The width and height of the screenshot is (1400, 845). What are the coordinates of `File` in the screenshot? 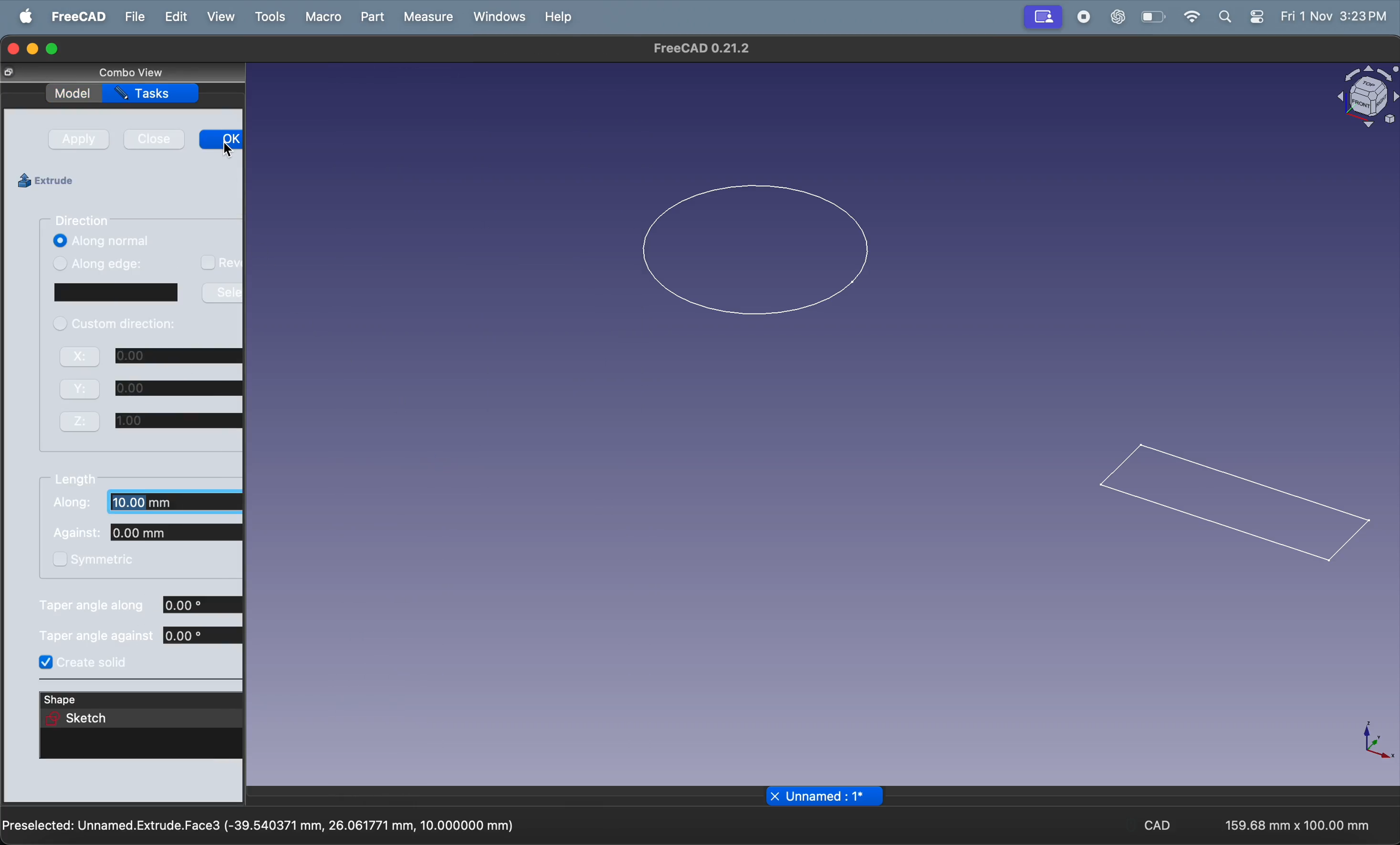 It's located at (134, 16).